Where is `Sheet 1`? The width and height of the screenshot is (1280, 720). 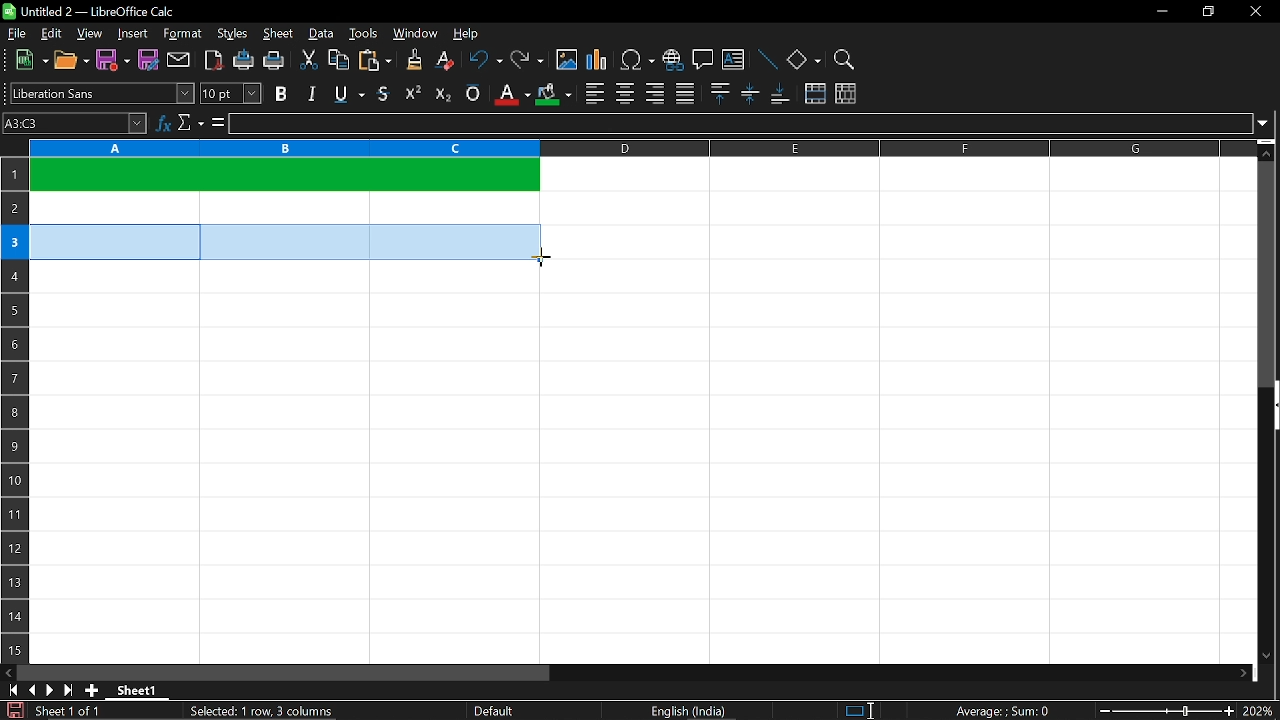 Sheet 1 is located at coordinates (137, 690).